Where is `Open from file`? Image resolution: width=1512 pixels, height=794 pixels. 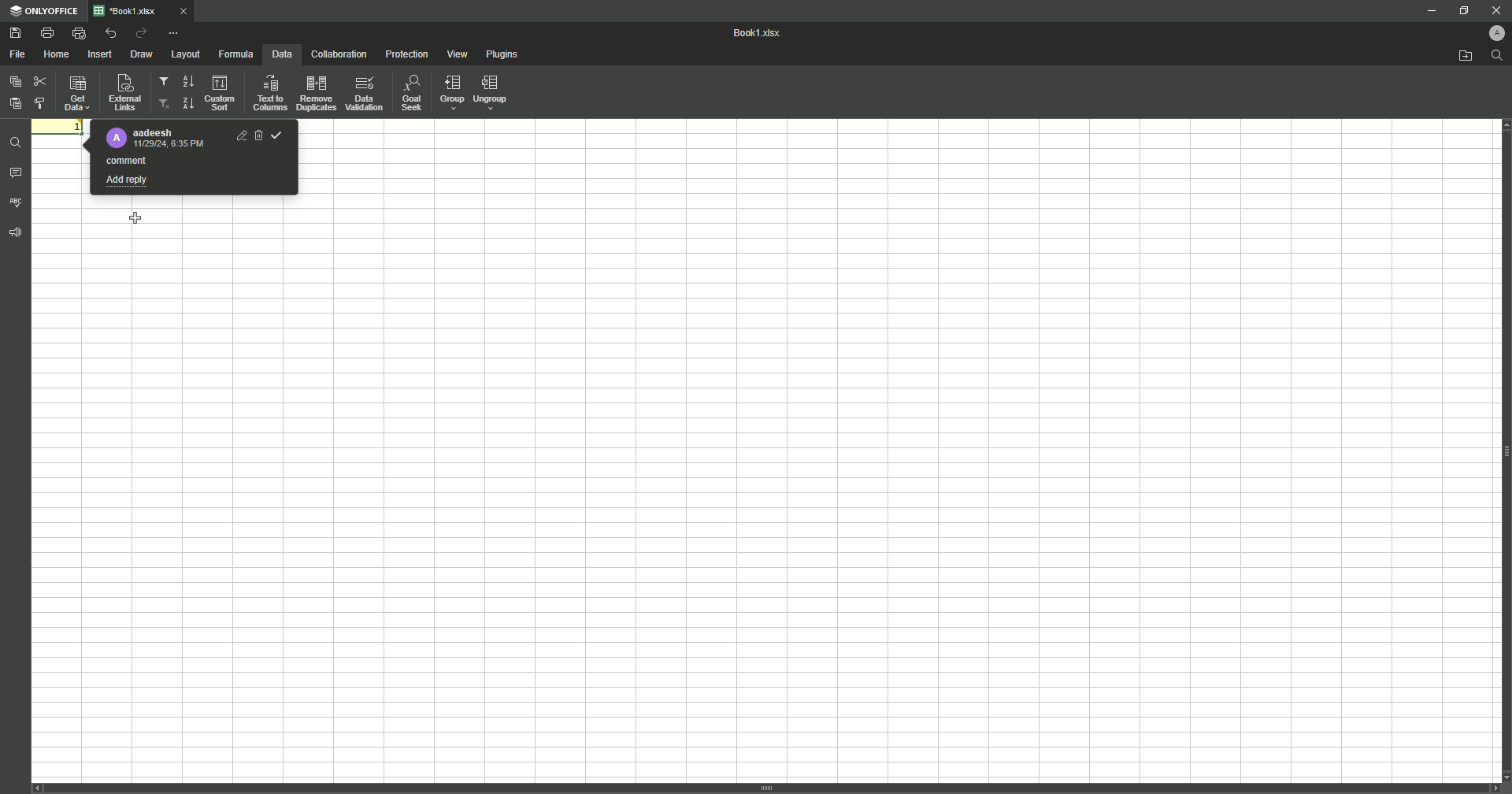
Open from file is located at coordinates (1458, 57).